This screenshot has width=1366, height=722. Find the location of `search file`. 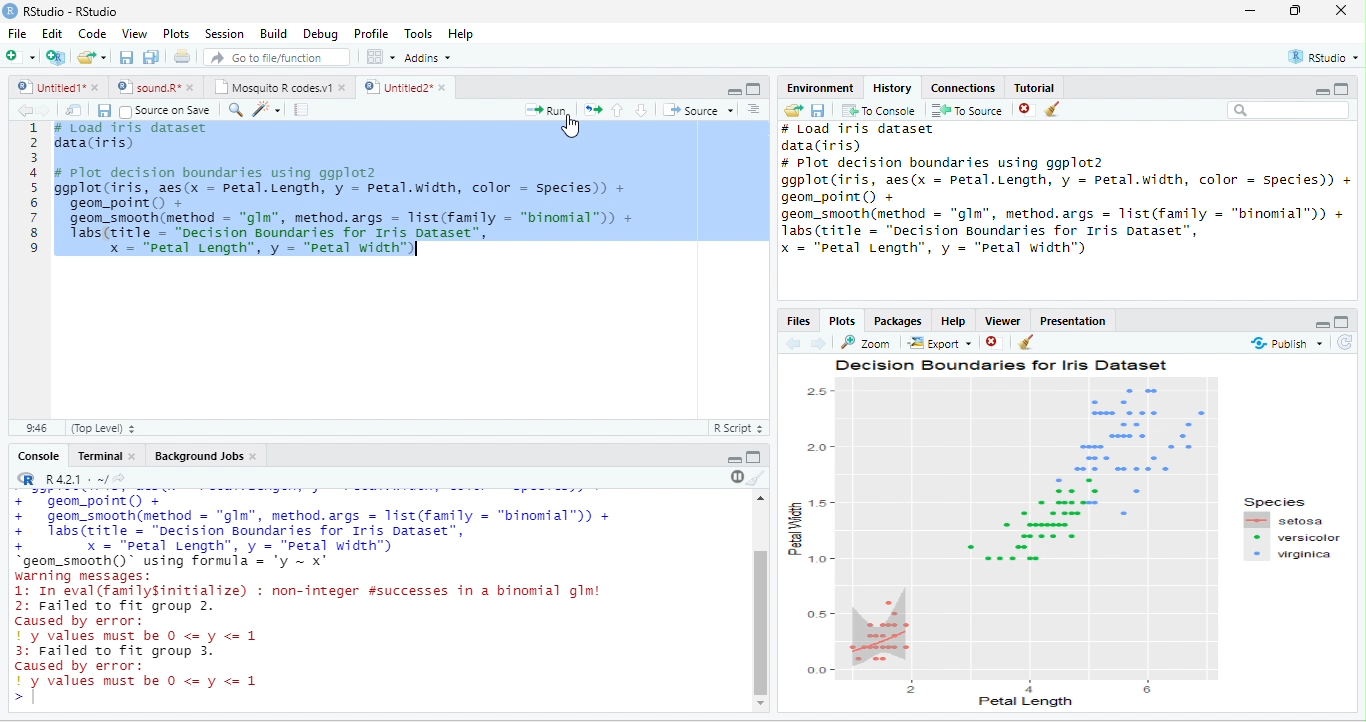

search file is located at coordinates (278, 57).